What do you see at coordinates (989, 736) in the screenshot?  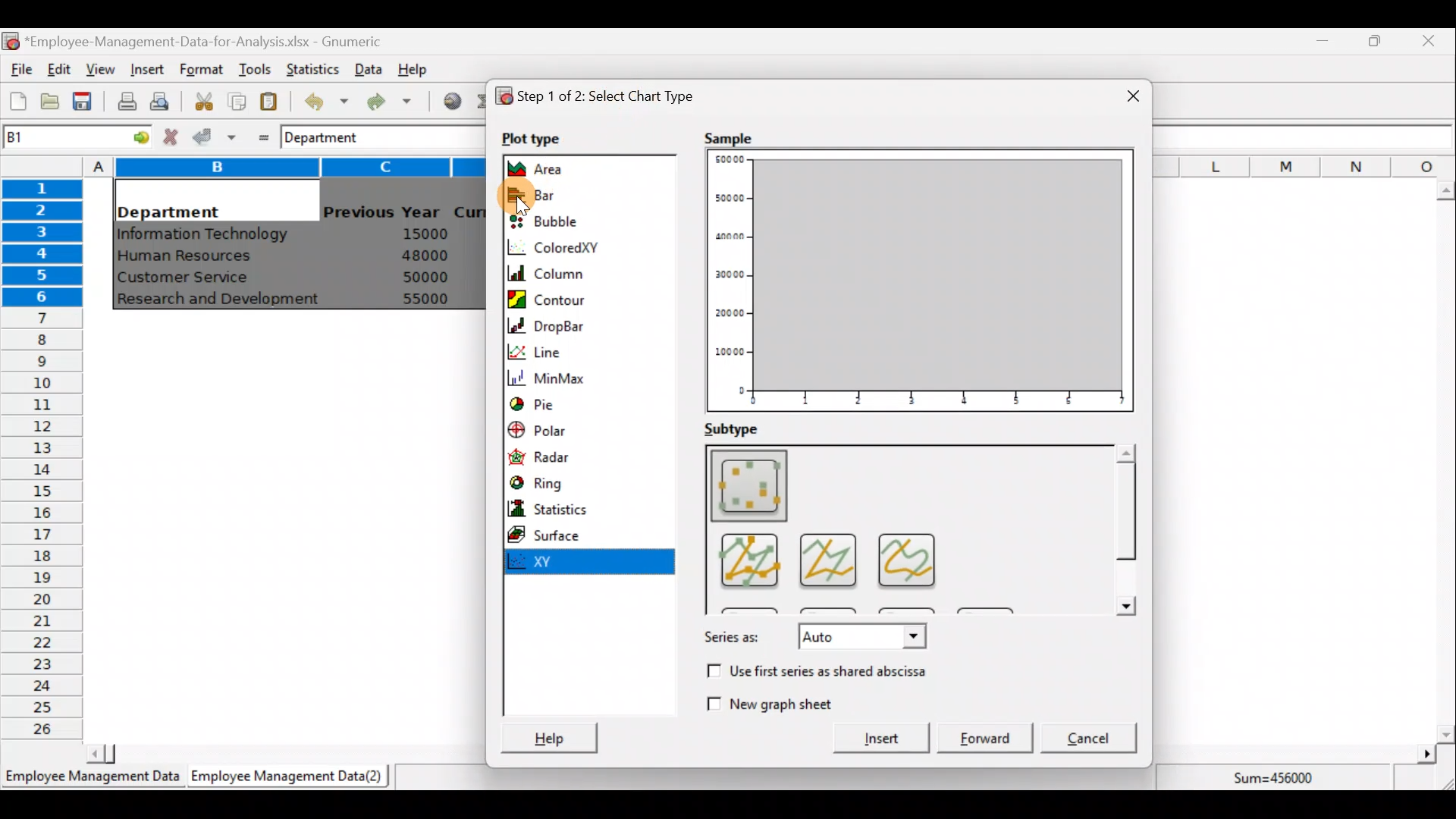 I see `Forward` at bounding box center [989, 736].